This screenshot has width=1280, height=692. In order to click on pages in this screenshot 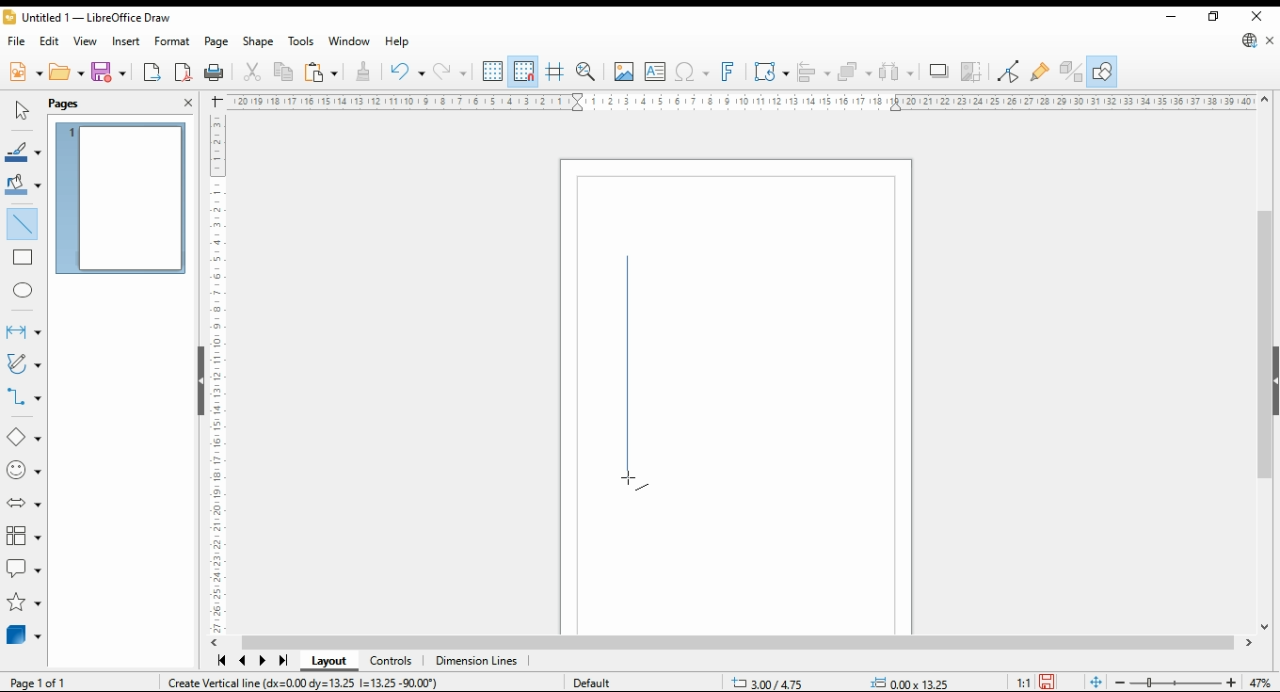, I will do `click(82, 102)`.